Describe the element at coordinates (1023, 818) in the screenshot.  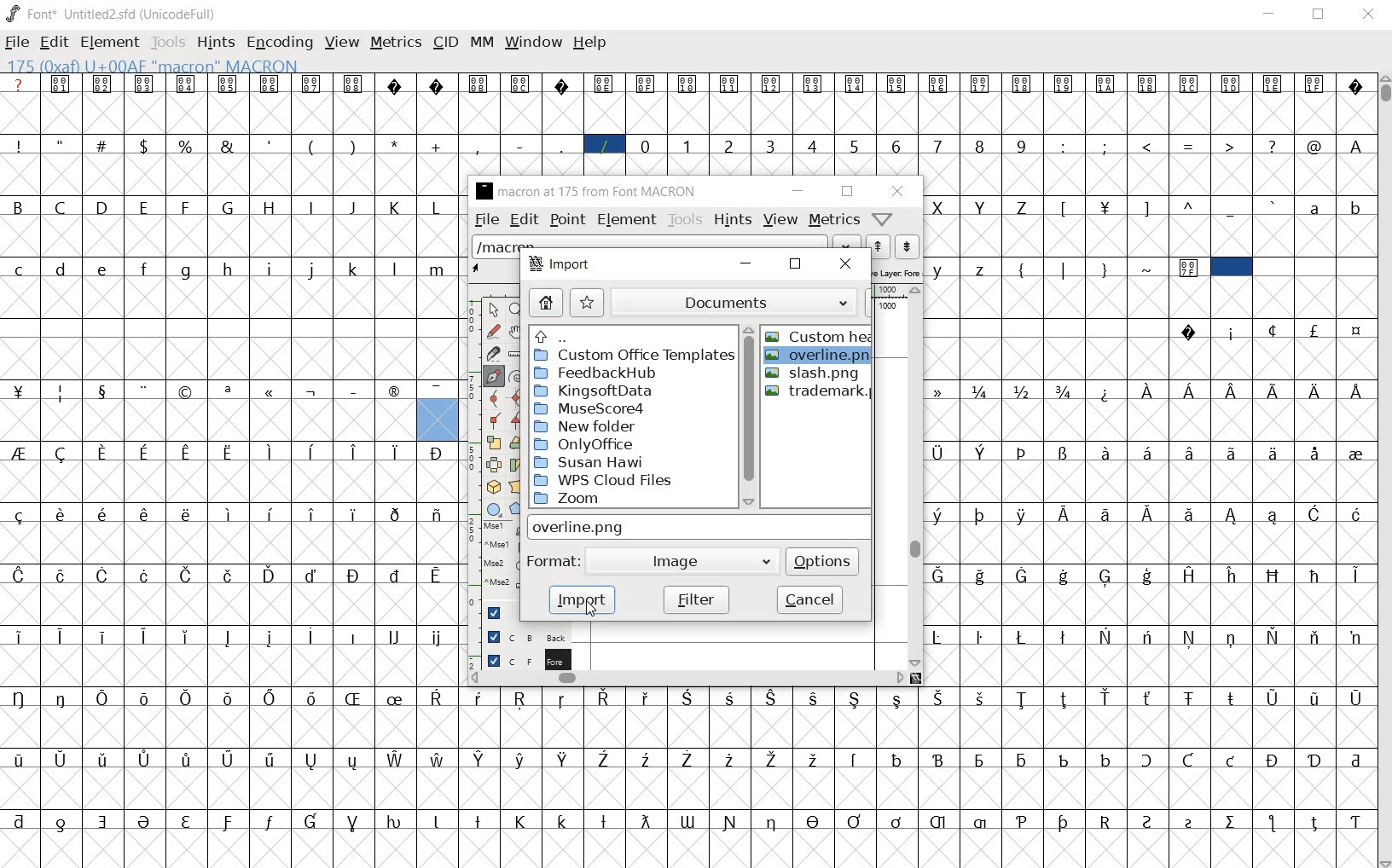
I see `Symbol` at that location.